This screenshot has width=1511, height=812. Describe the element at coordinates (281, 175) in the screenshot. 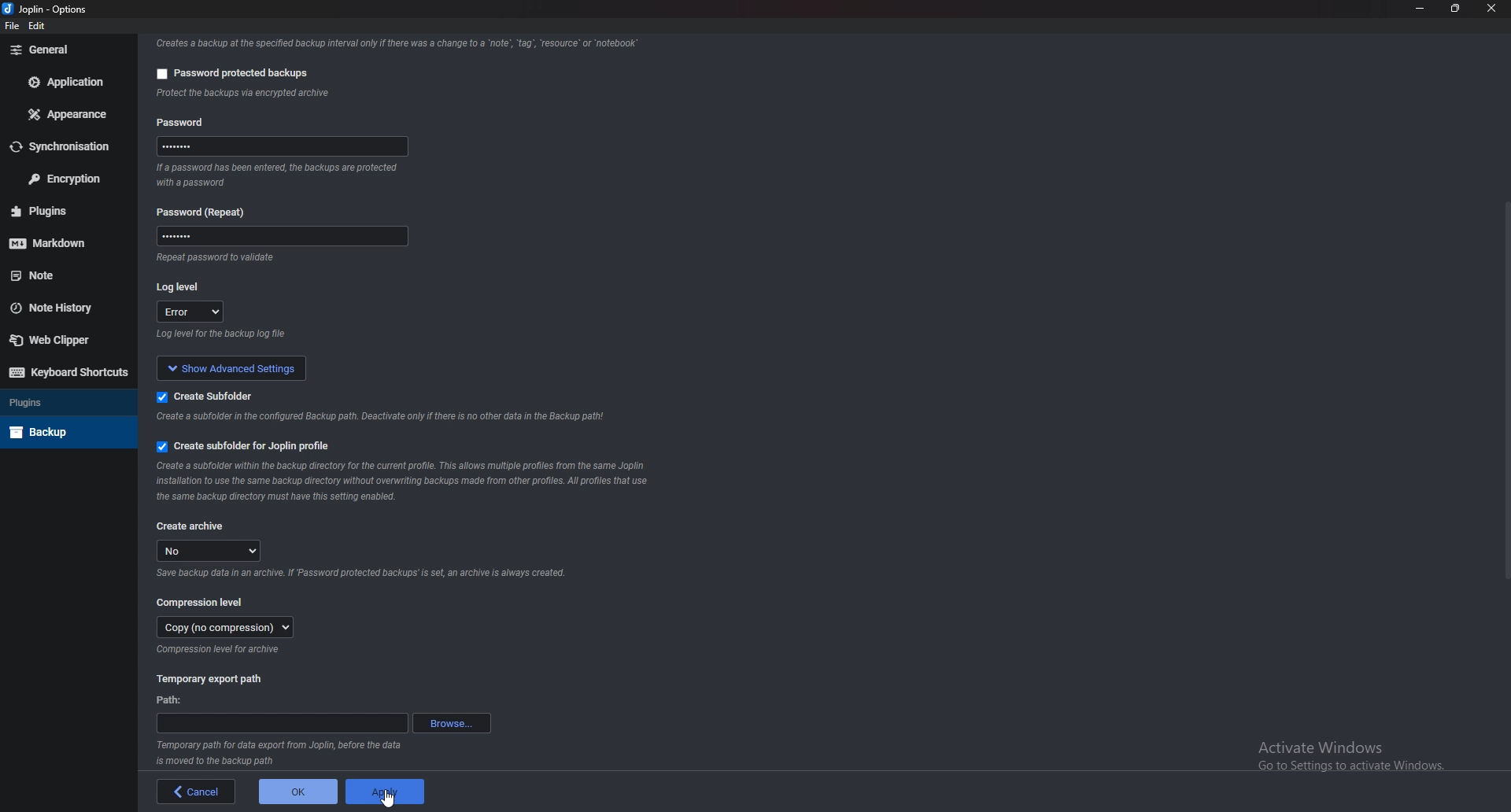

I see `info` at that location.